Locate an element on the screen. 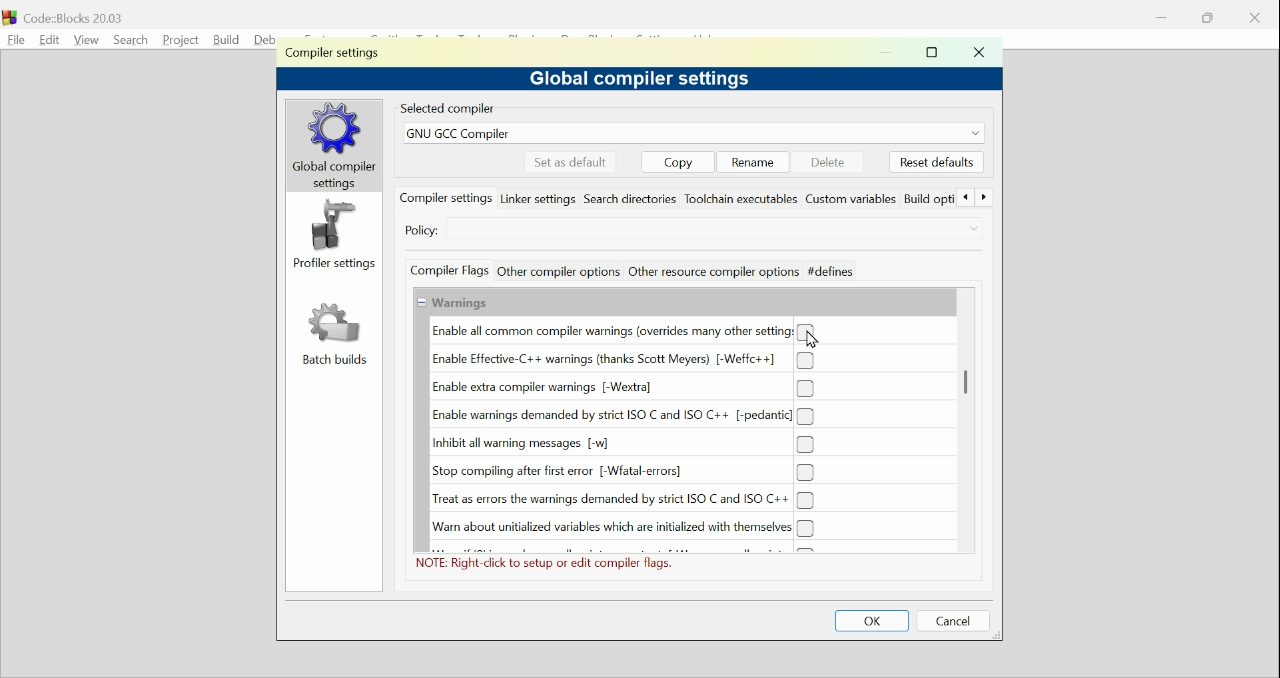 The width and height of the screenshot is (1280, 678). Batch build is located at coordinates (333, 335).